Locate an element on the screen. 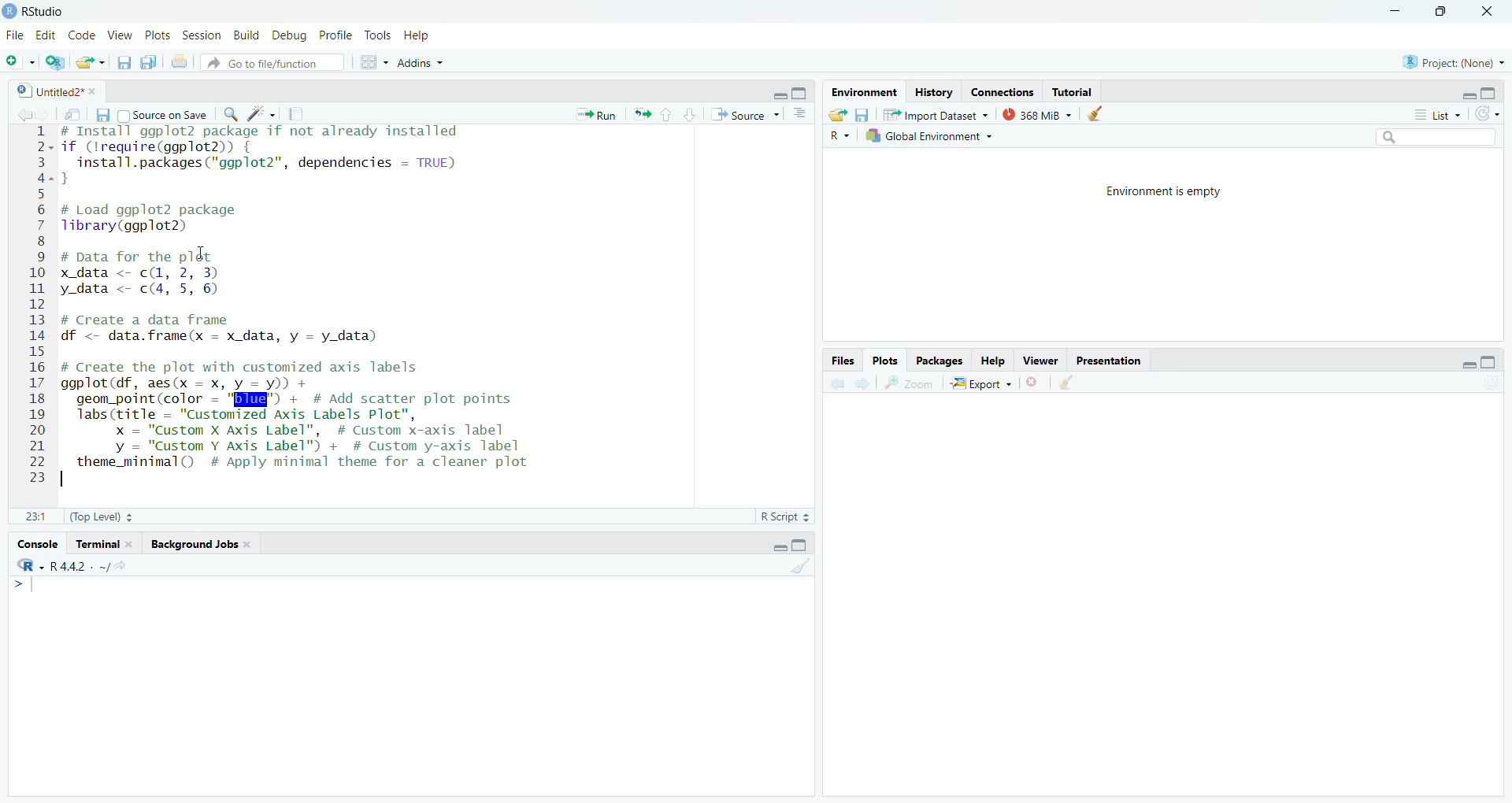 This screenshot has height=803, width=1512. Global Environment ~ is located at coordinates (929, 136).